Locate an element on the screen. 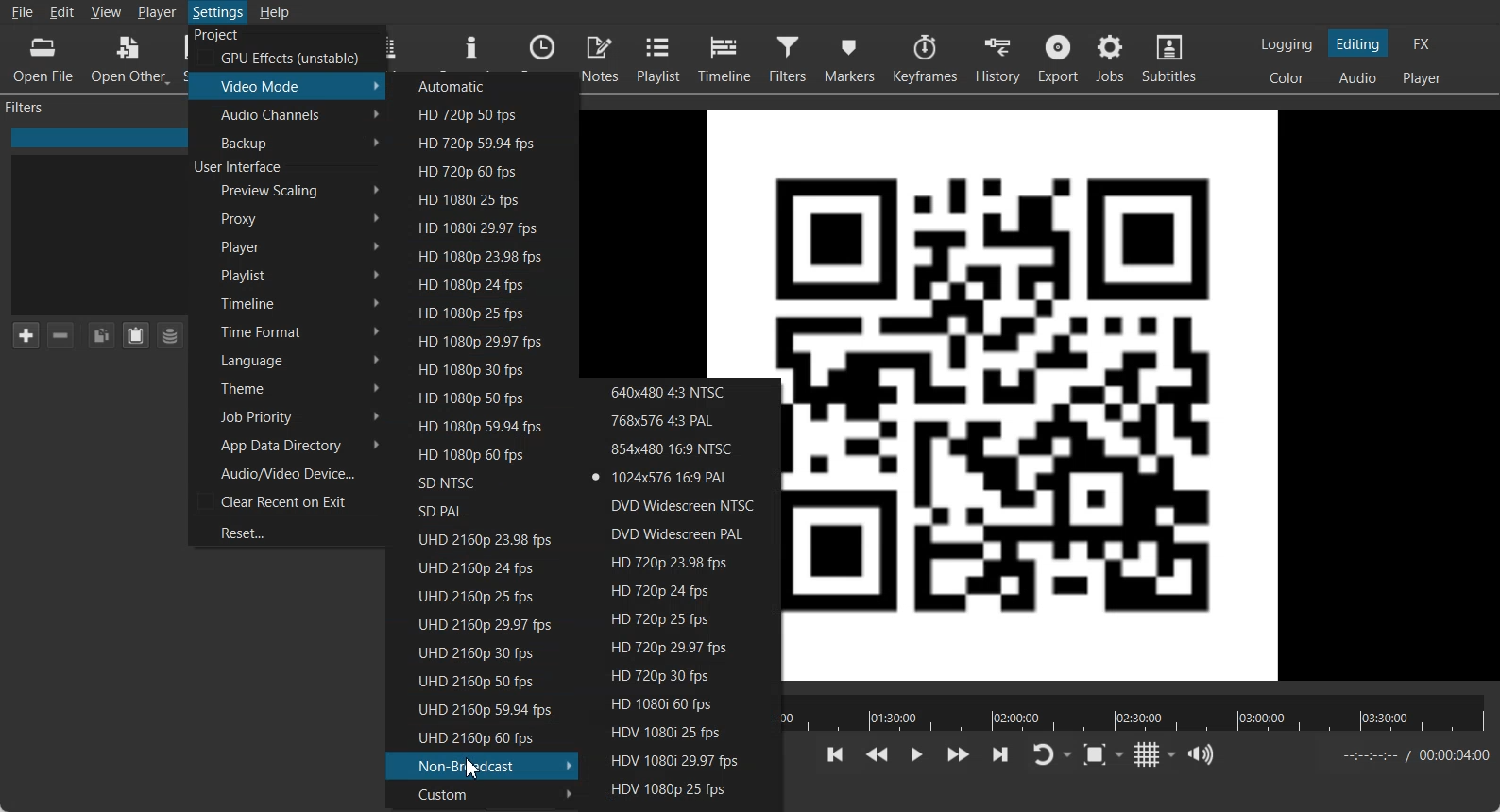  HD 1080i 25 fps is located at coordinates (478, 199).